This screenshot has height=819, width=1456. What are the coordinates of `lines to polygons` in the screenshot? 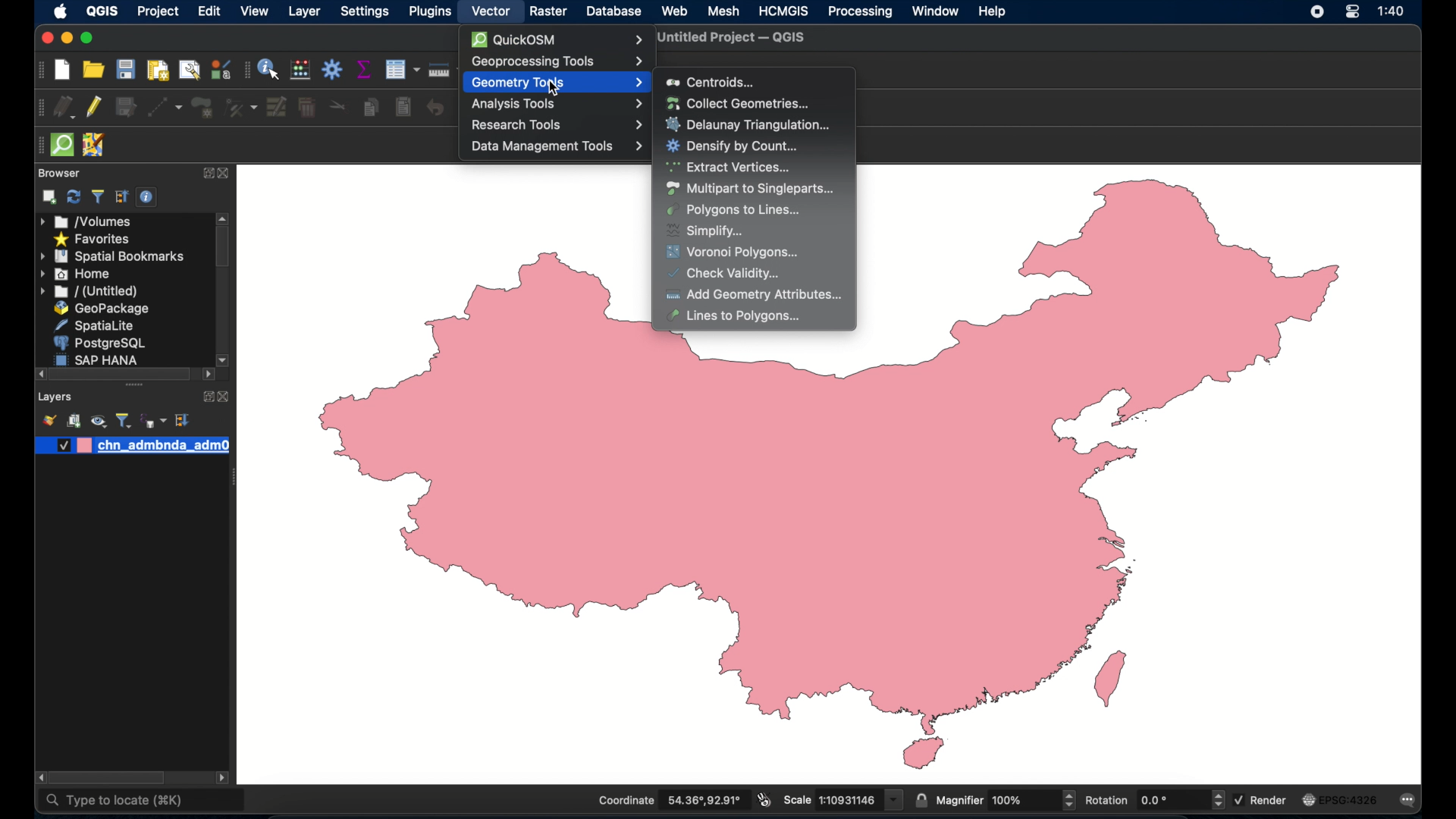 It's located at (742, 316).